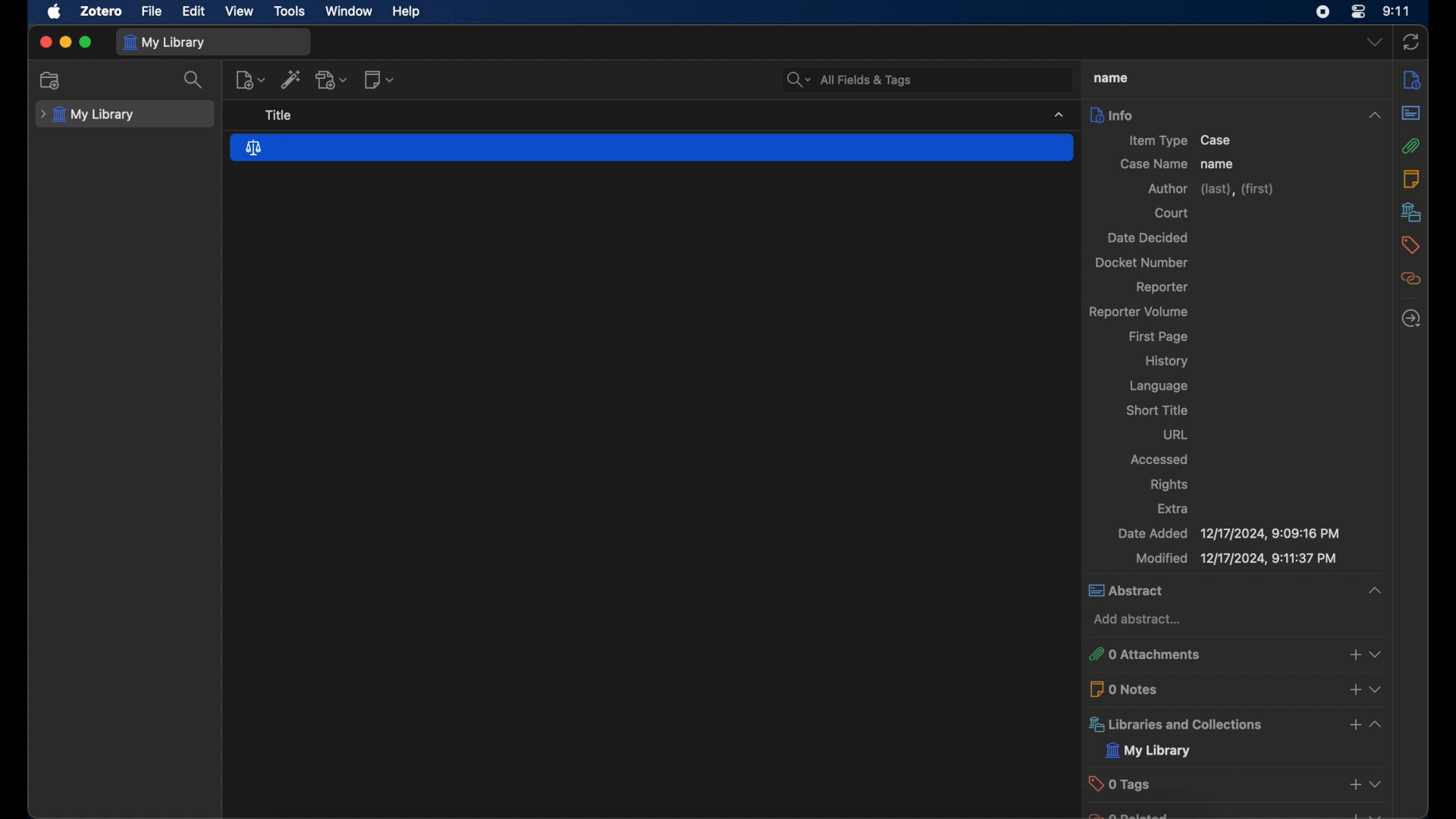 The height and width of the screenshot is (819, 1456). Describe the element at coordinates (1159, 337) in the screenshot. I see `first page` at that location.